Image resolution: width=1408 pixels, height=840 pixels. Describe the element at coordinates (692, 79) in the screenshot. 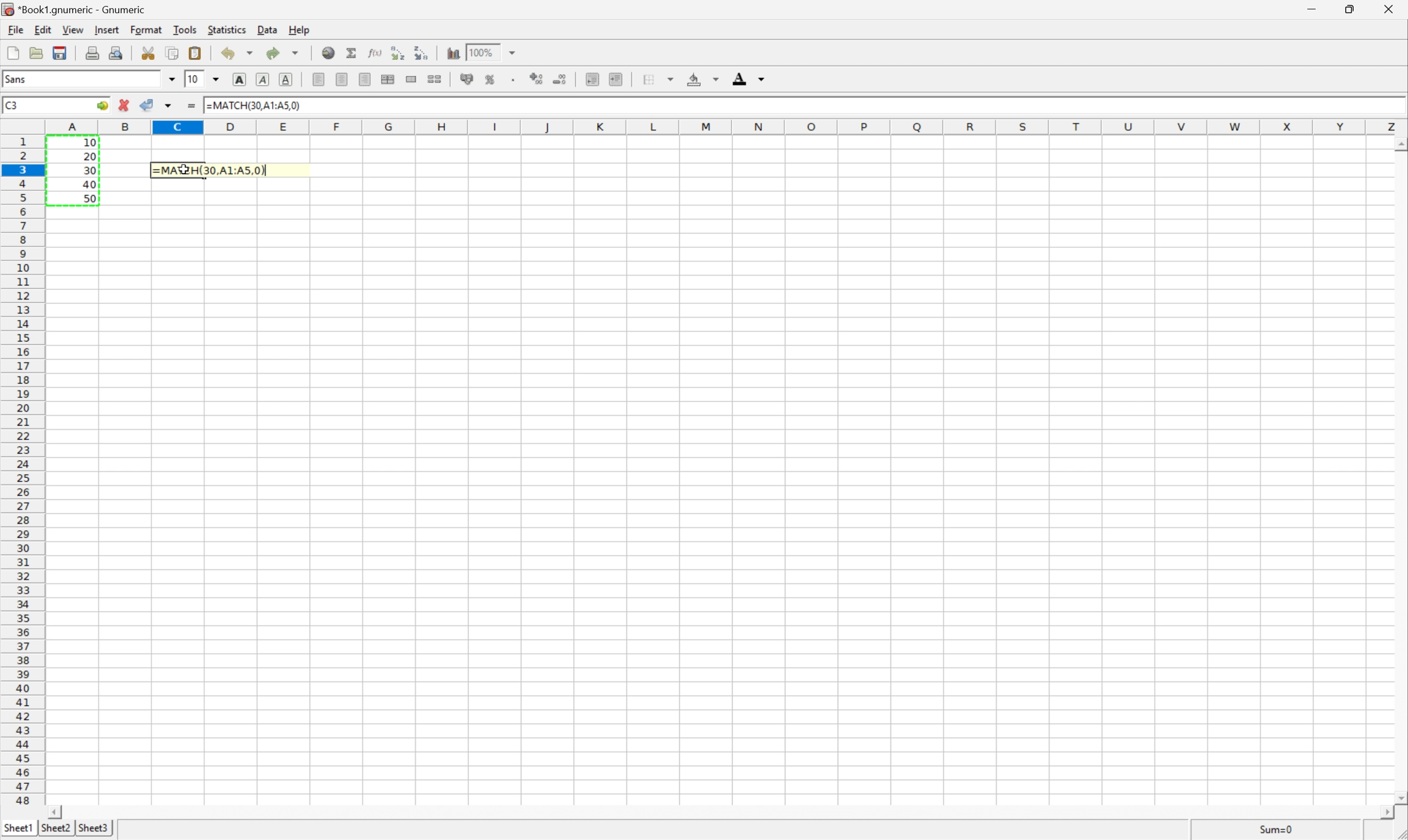

I see `Fill color` at that location.